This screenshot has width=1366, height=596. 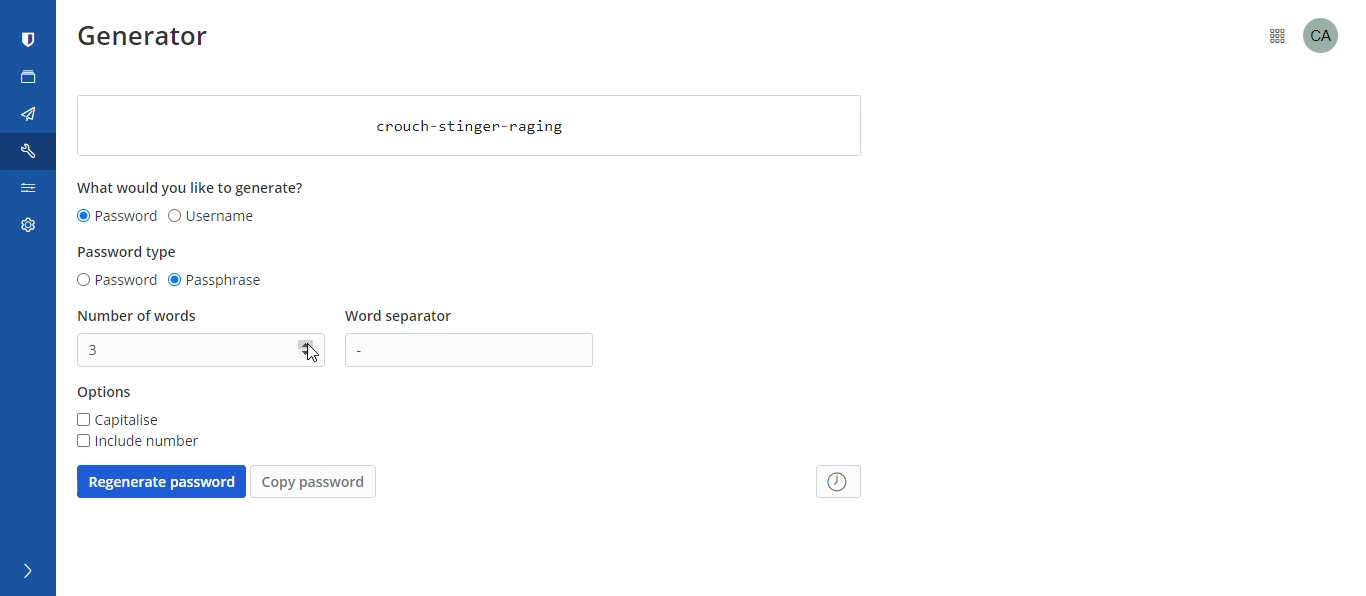 What do you see at coordinates (187, 350) in the screenshot?
I see `number of words textbox` at bounding box center [187, 350].